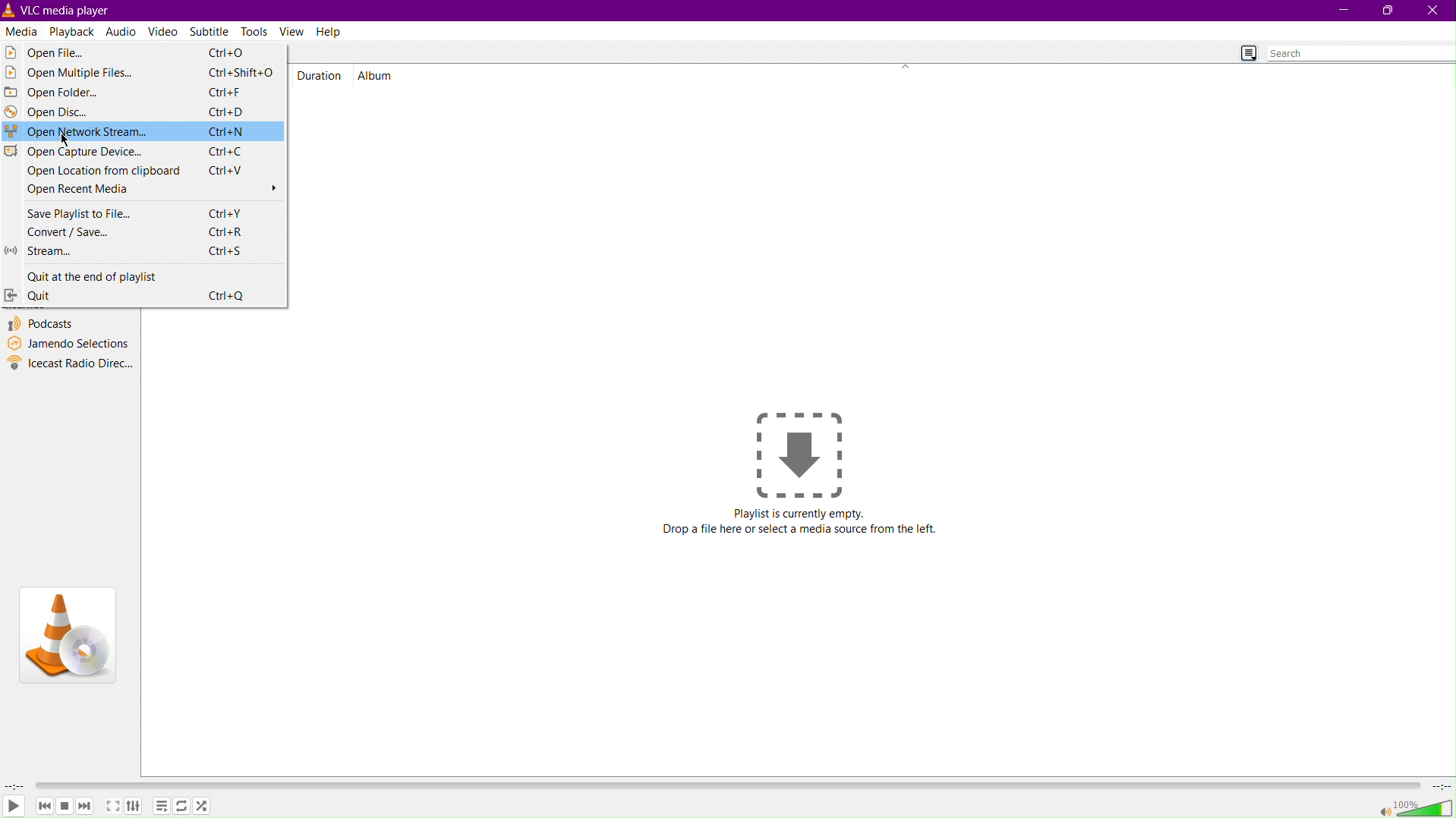 The image size is (1456, 818). What do you see at coordinates (9, 9) in the screenshot?
I see `logo` at bounding box center [9, 9].